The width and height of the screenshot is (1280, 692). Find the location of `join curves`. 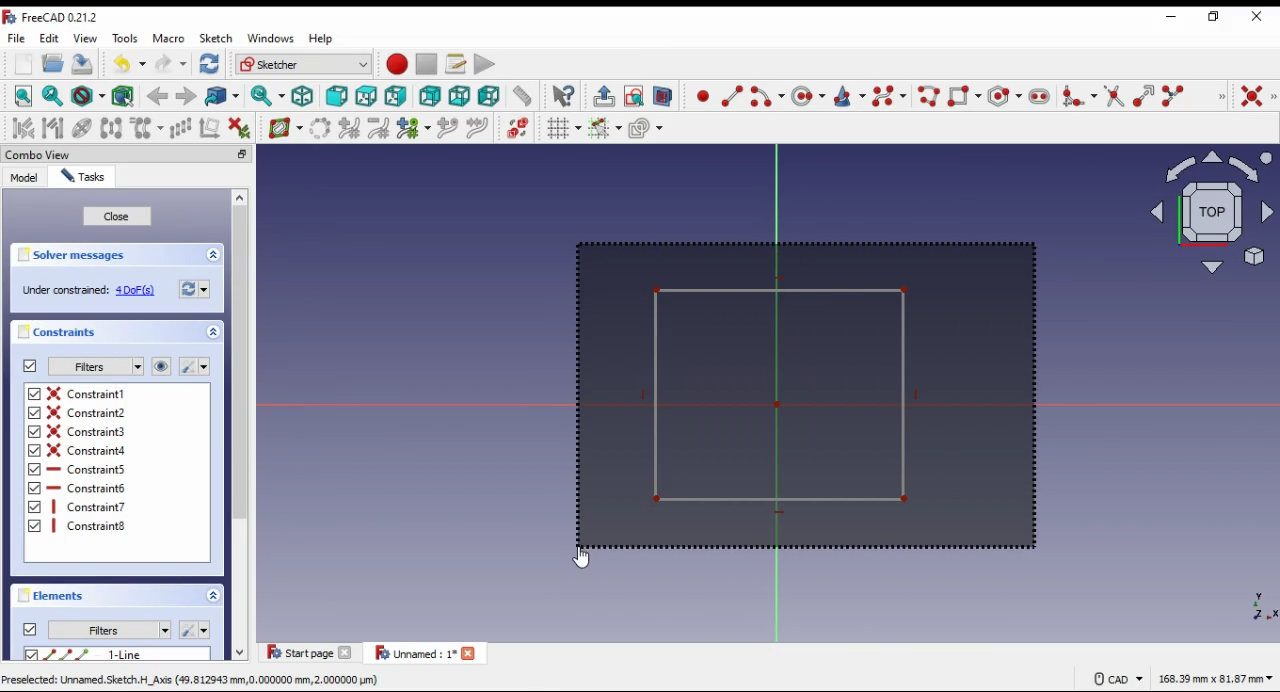

join curves is located at coordinates (477, 128).